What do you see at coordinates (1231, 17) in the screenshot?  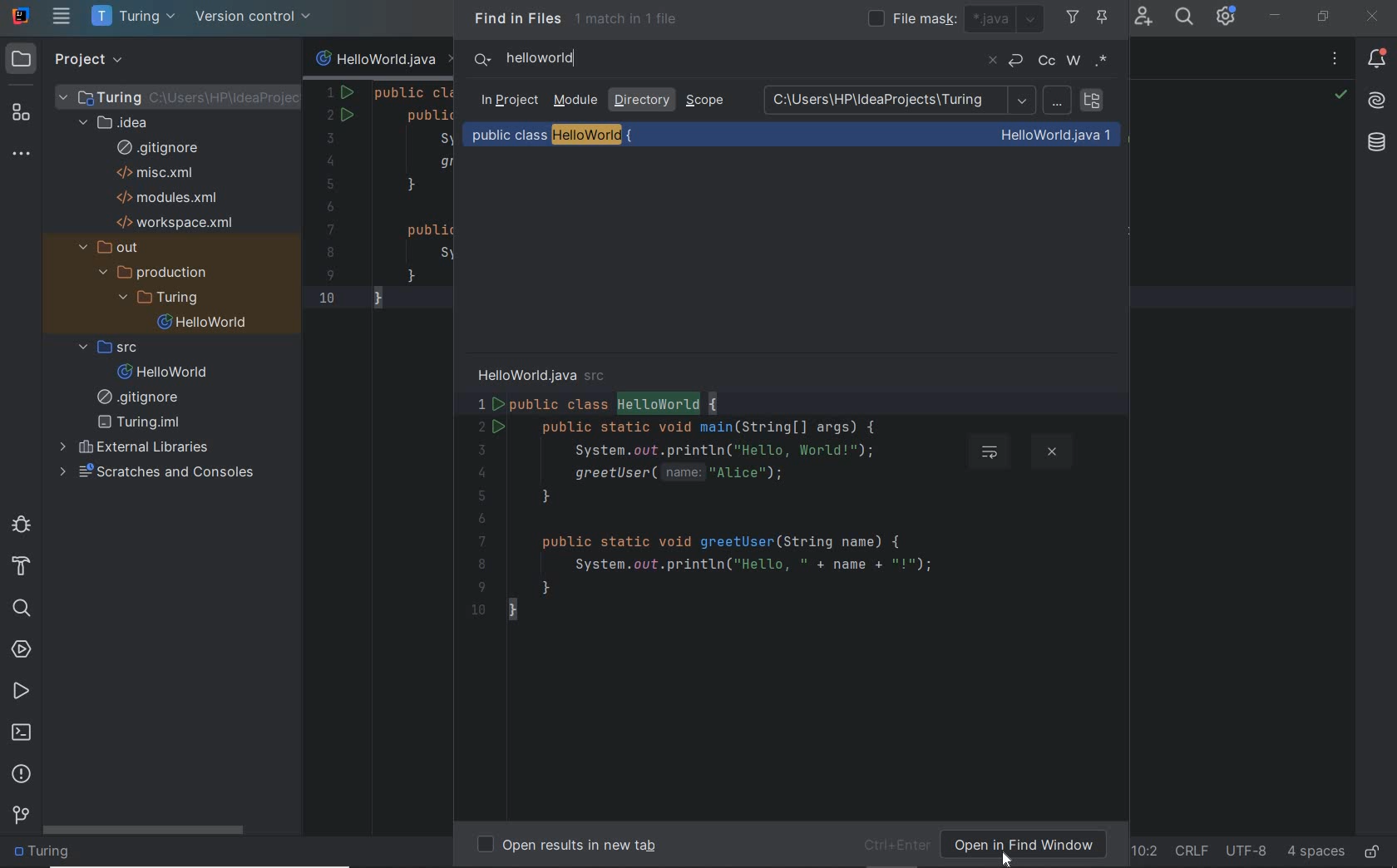 I see `IDE & Project settings` at bounding box center [1231, 17].